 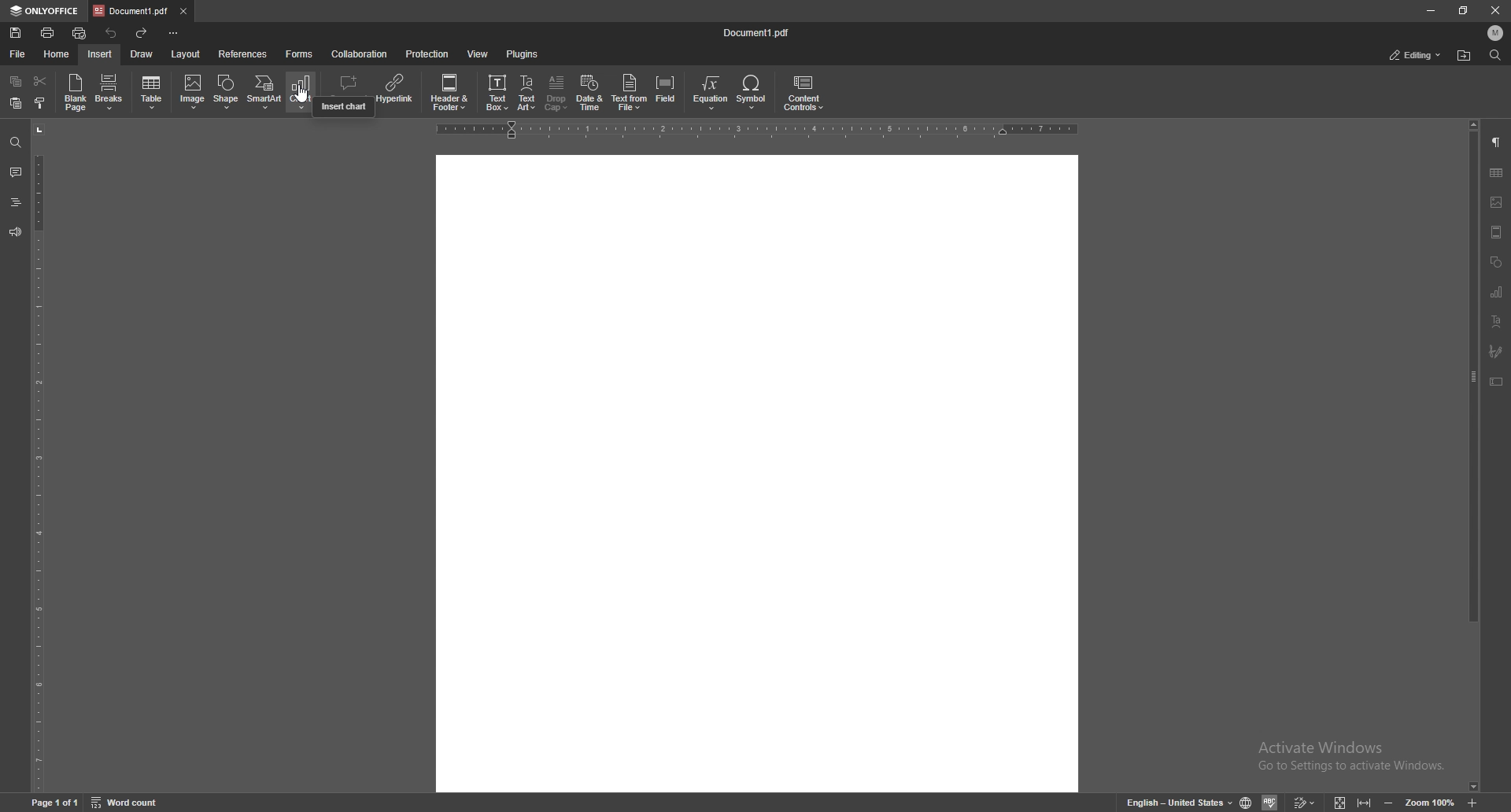 What do you see at coordinates (523, 54) in the screenshot?
I see `plugins` at bounding box center [523, 54].